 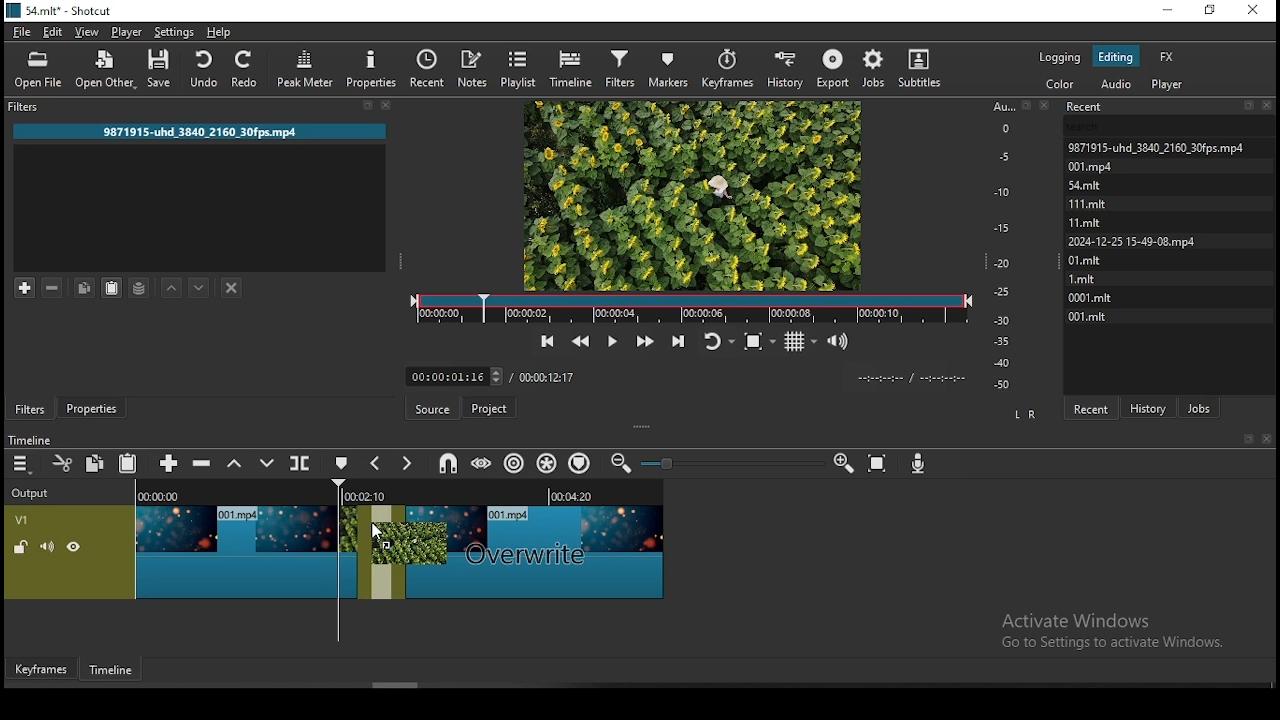 I want to click on preview, so click(x=692, y=194).